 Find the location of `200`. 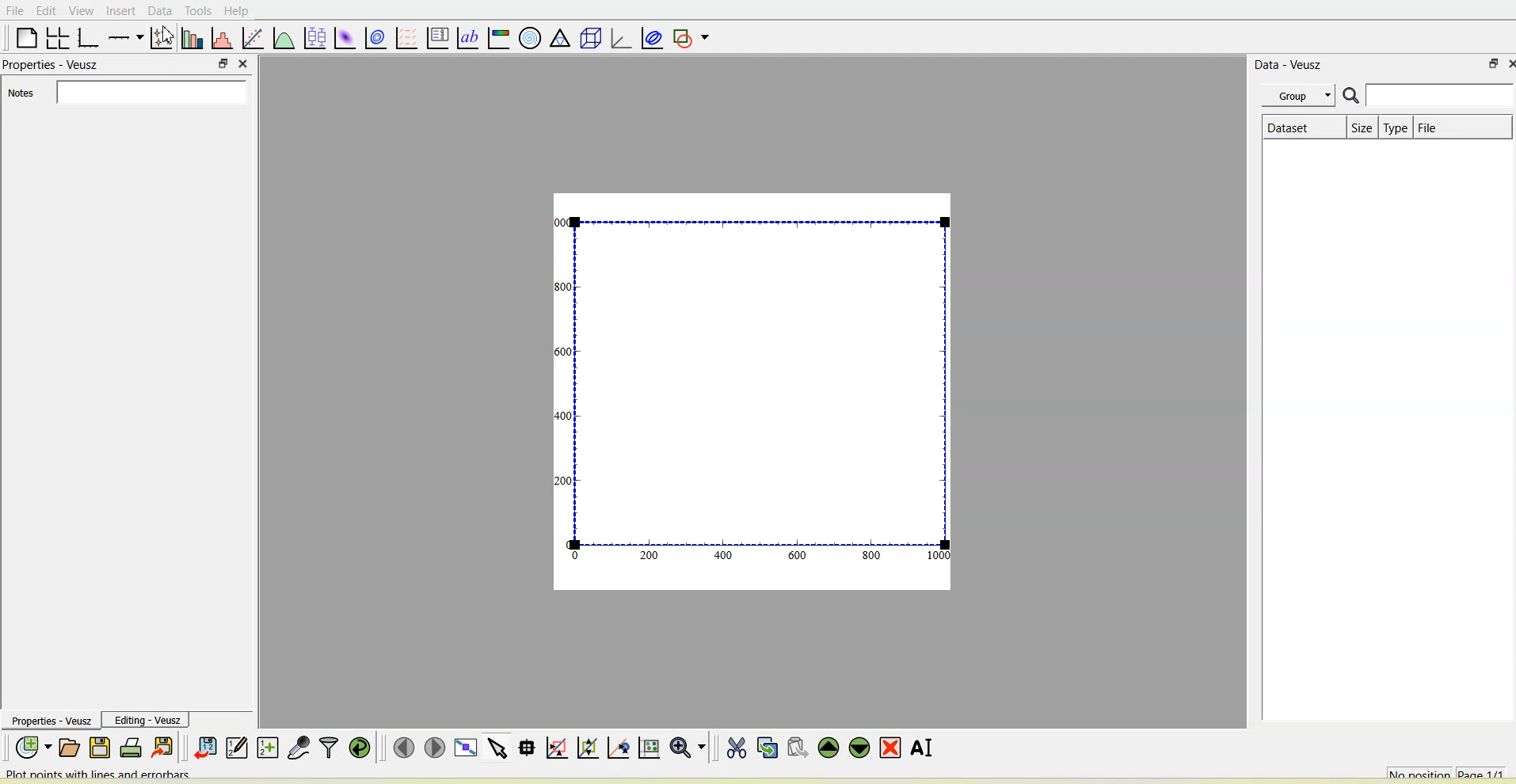

200 is located at coordinates (649, 557).